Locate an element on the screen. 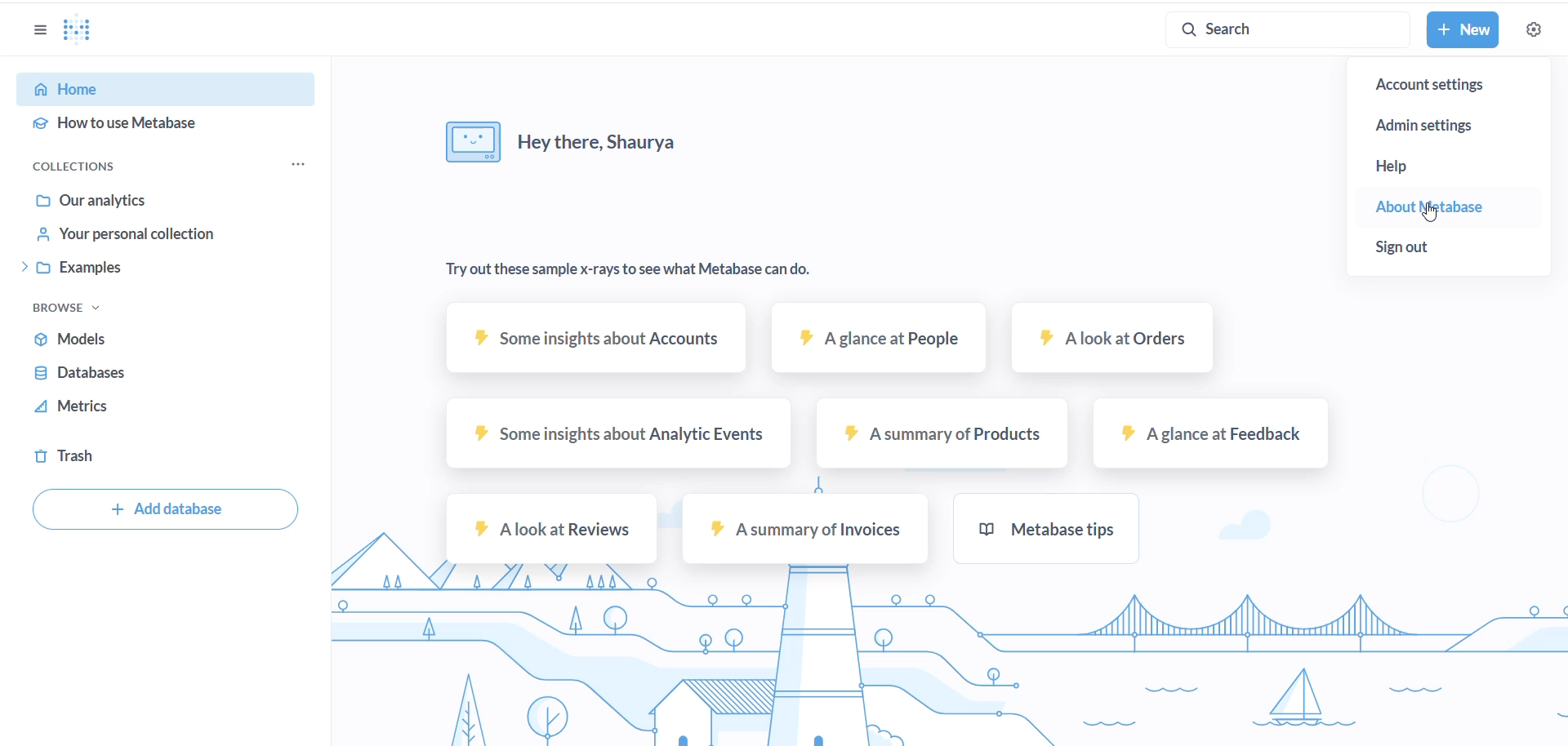 This screenshot has height=746, width=1568. metrics is located at coordinates (146, 411).